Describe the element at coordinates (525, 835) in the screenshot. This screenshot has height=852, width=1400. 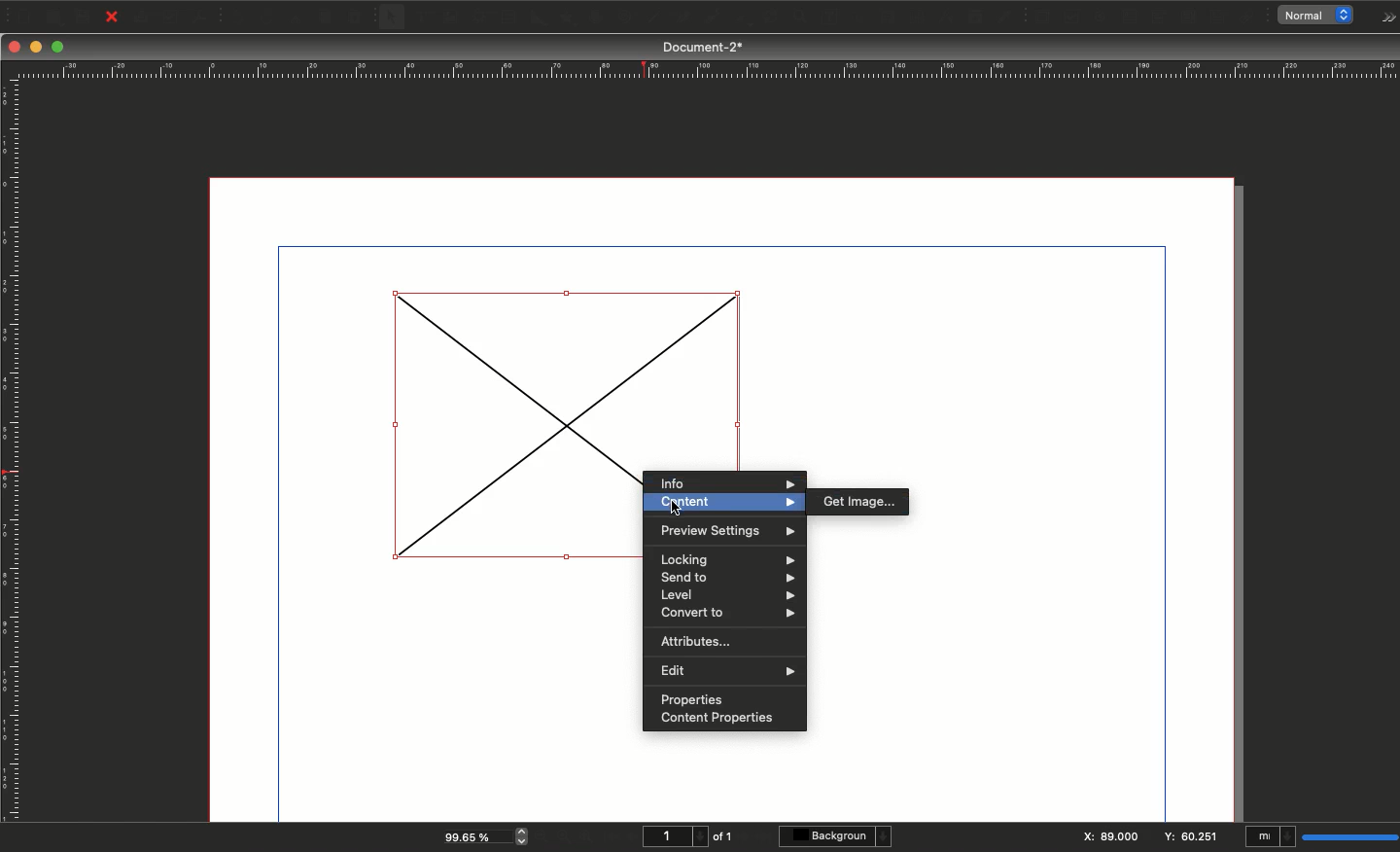
I see `zoom in and out` at that location.